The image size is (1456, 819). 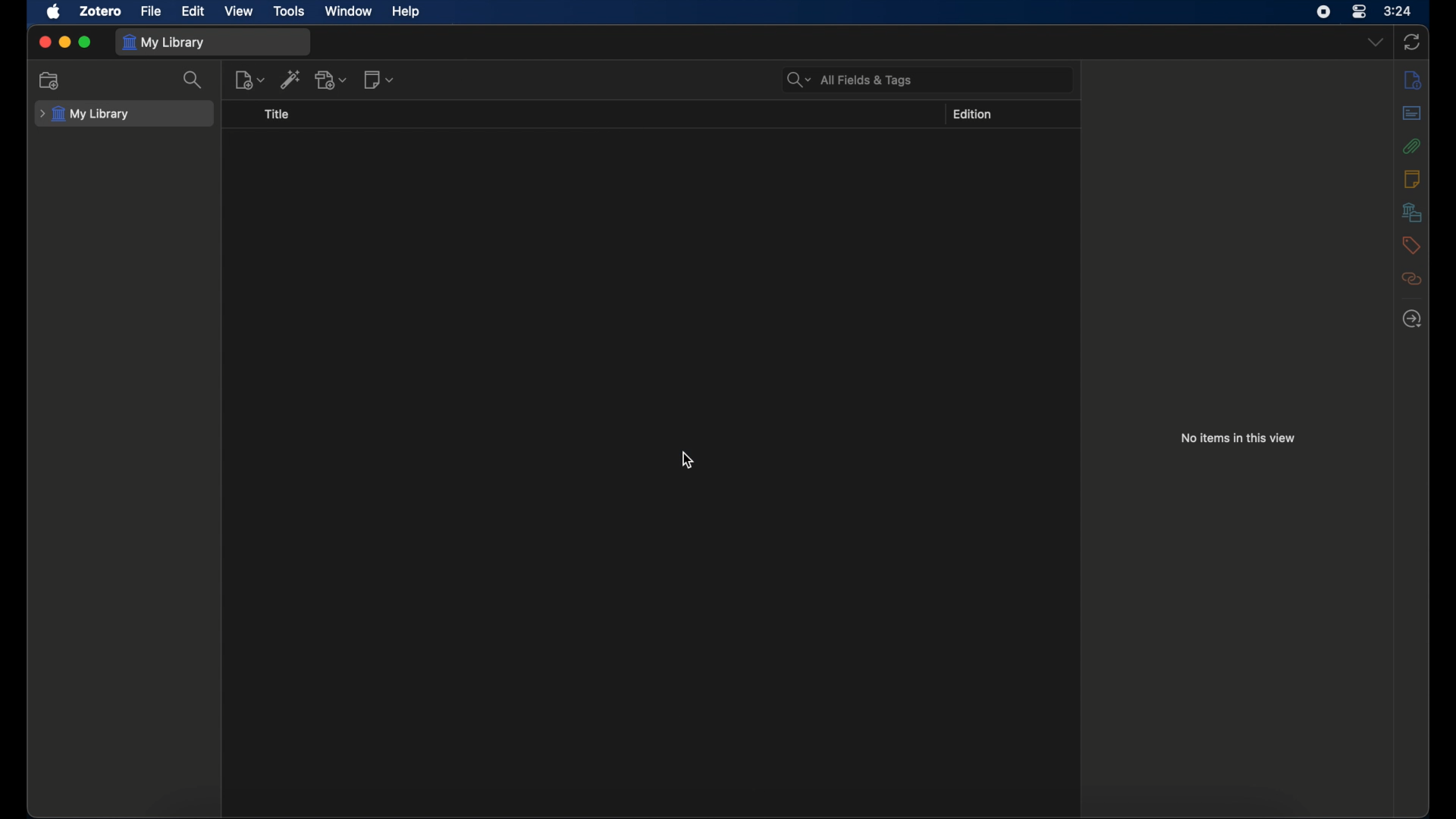 I want to click on help, so click(x=405, y=12).